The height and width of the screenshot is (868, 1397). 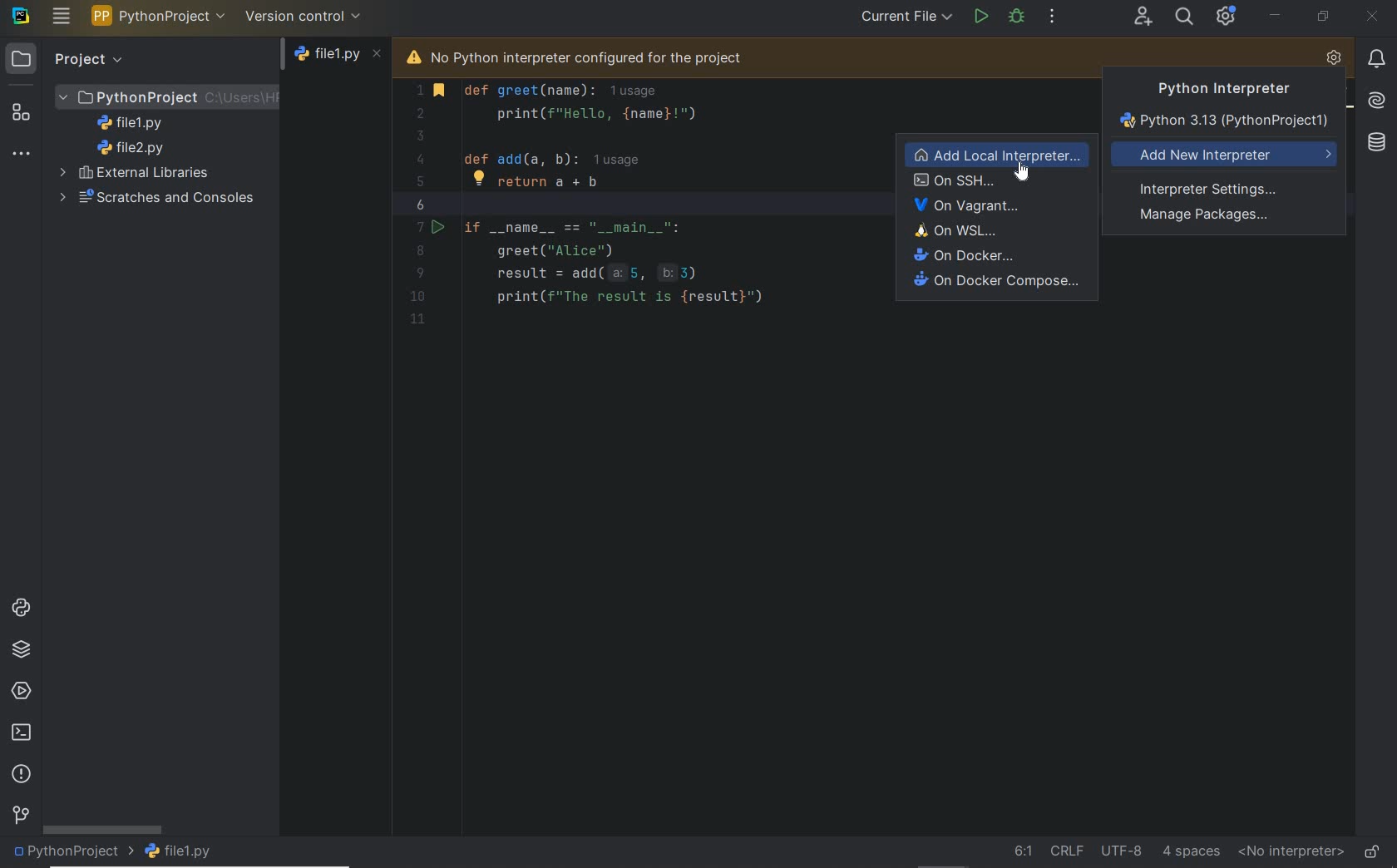 What do you see at coordinates (906, 17) in the screenshot?
I see `current file` at bounding box center [906, 17].